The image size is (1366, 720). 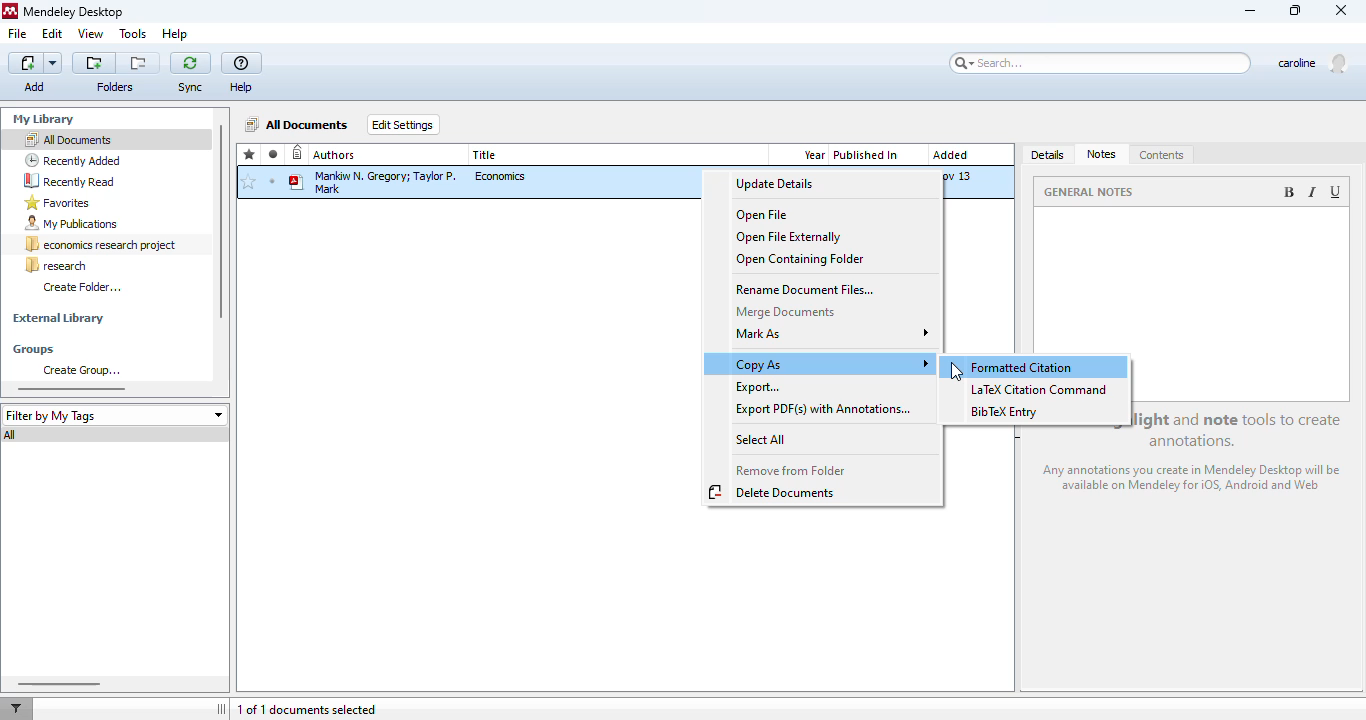 What do you see at coordinates (486, 155) in the screenshot?
I see `title` at bounding box center [486, 155].